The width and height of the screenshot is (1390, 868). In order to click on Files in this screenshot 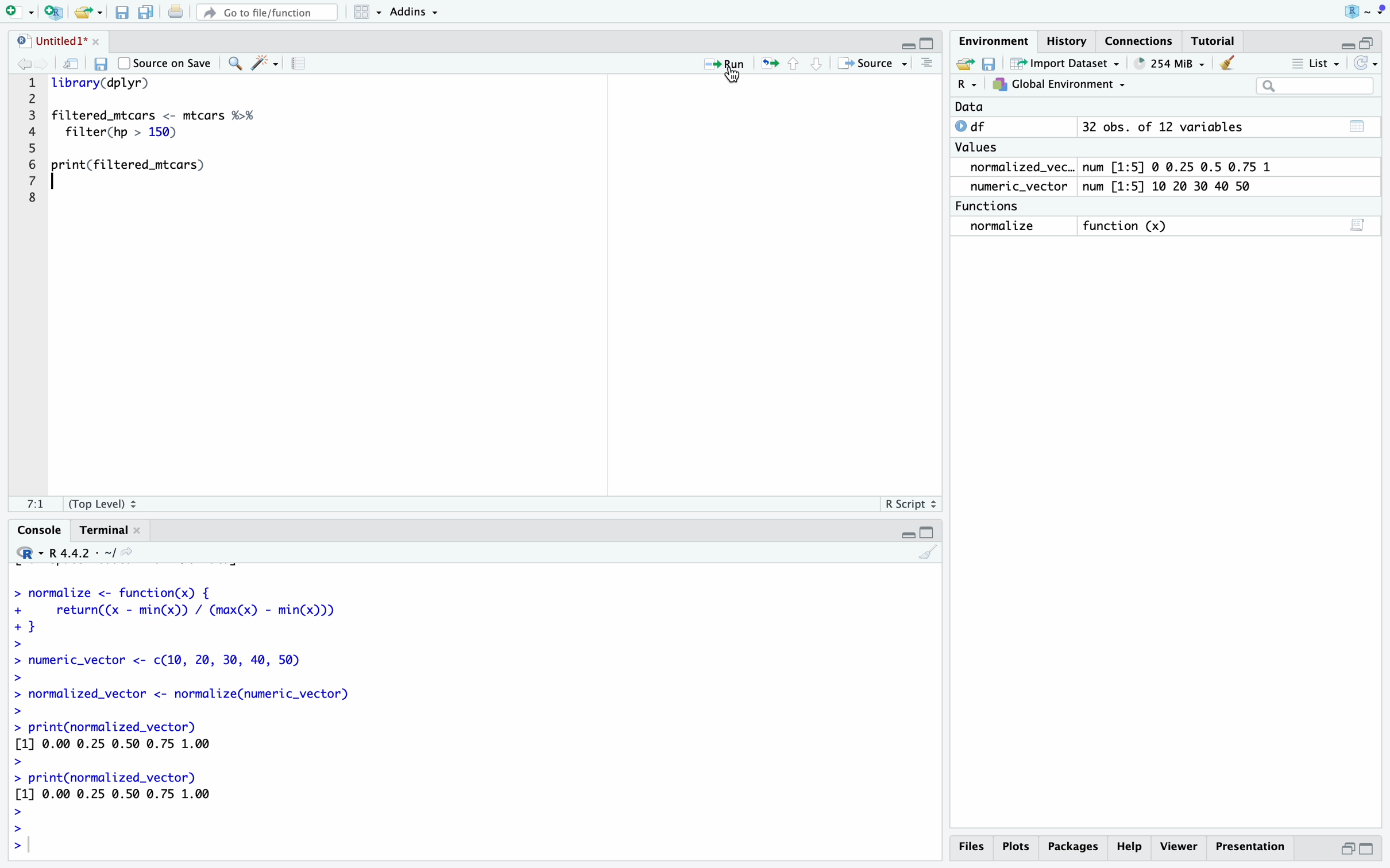, I will do `click(970, 846)`.